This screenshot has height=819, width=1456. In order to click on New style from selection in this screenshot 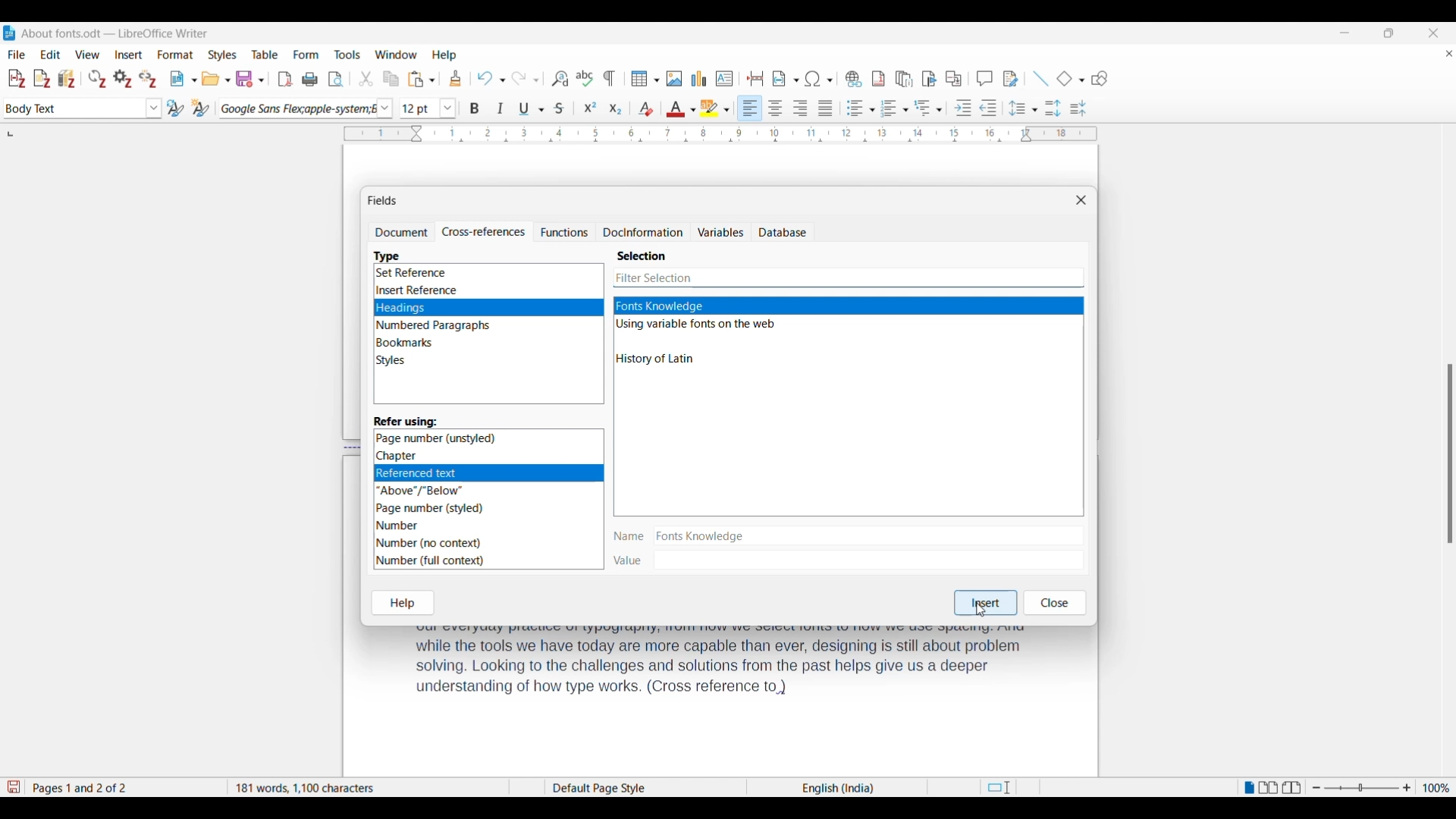, I will do `click(201, 108)`.